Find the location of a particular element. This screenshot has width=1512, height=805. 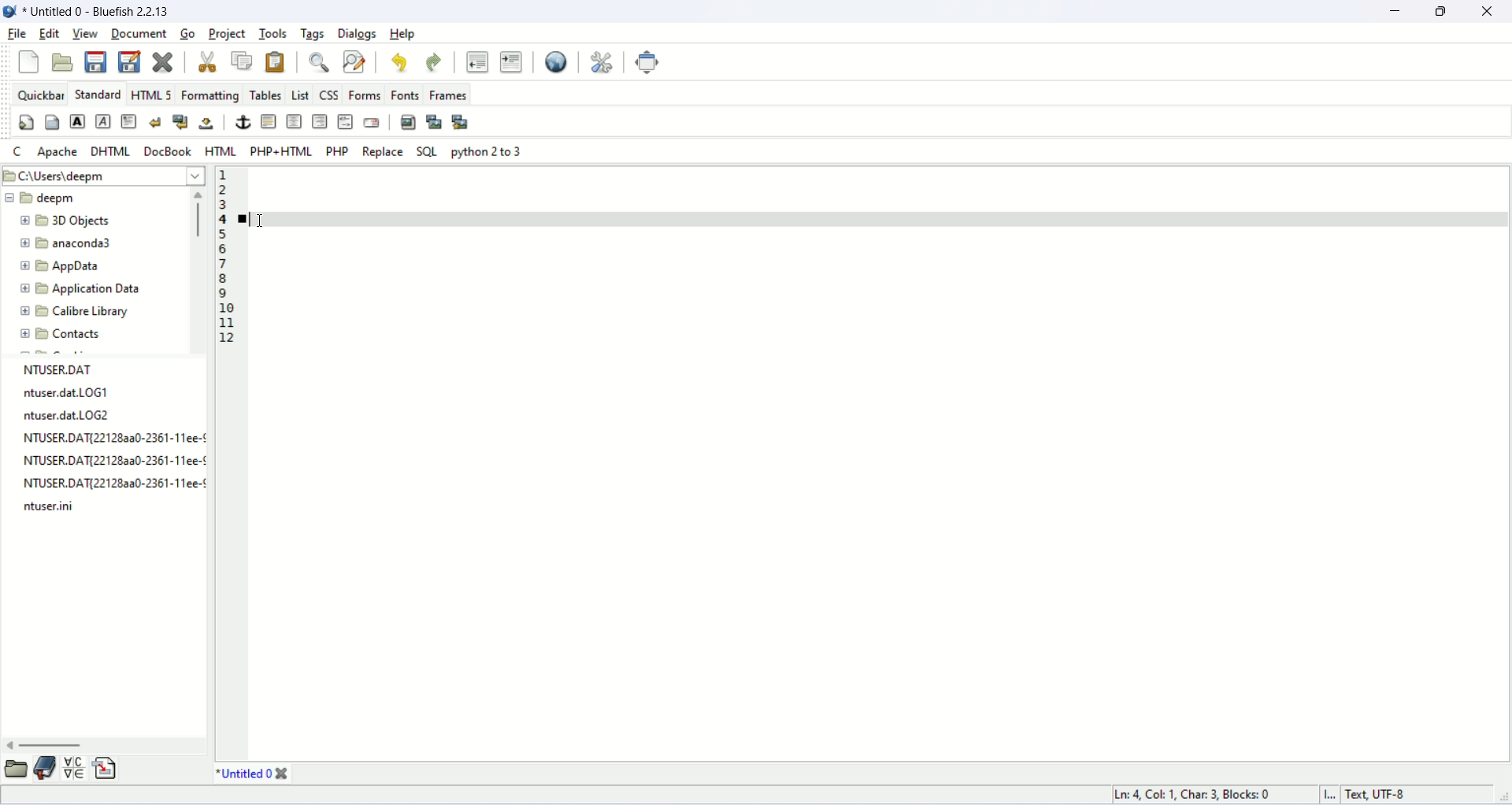

open is located at coordinates (62, 62).